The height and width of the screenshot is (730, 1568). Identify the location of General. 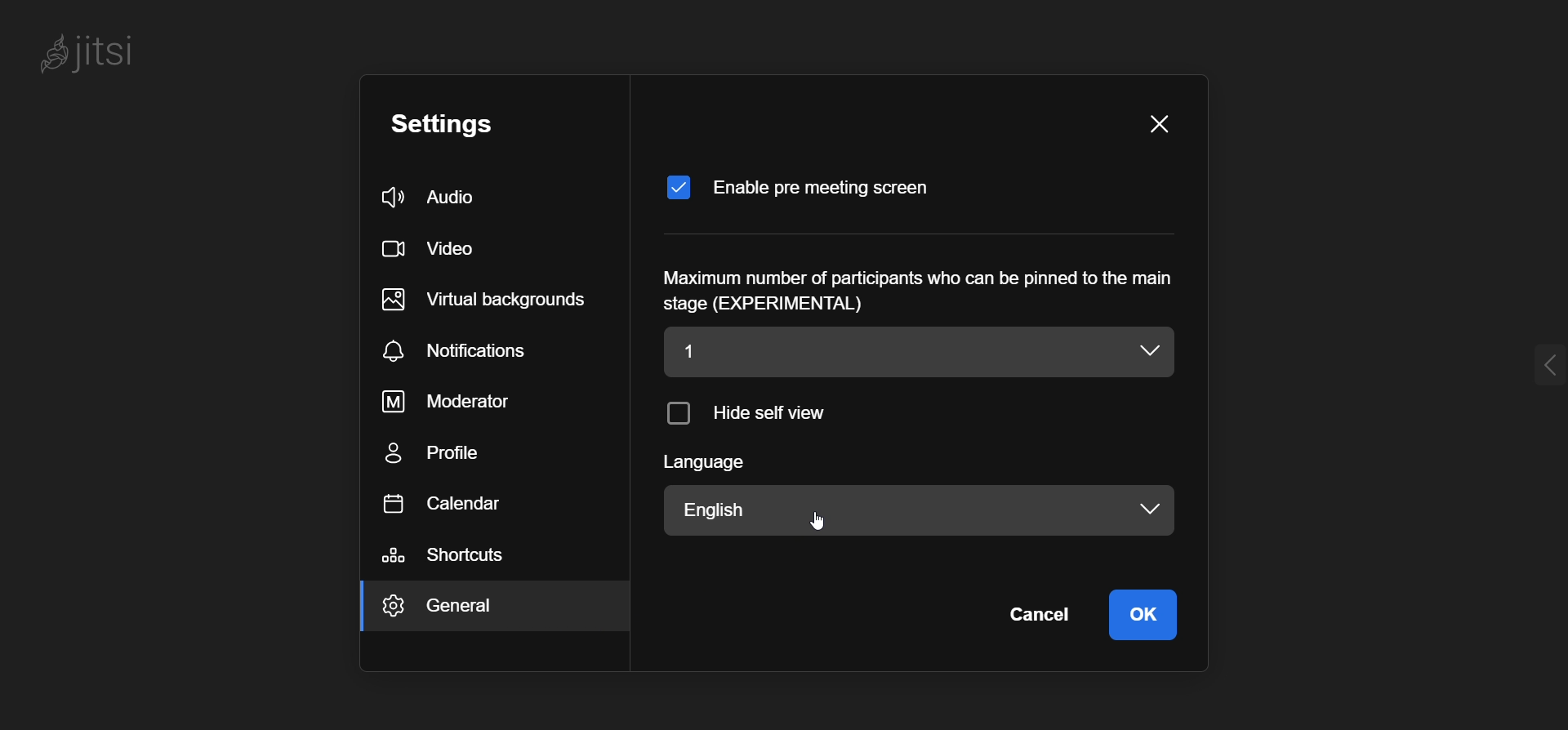
(472, 609).